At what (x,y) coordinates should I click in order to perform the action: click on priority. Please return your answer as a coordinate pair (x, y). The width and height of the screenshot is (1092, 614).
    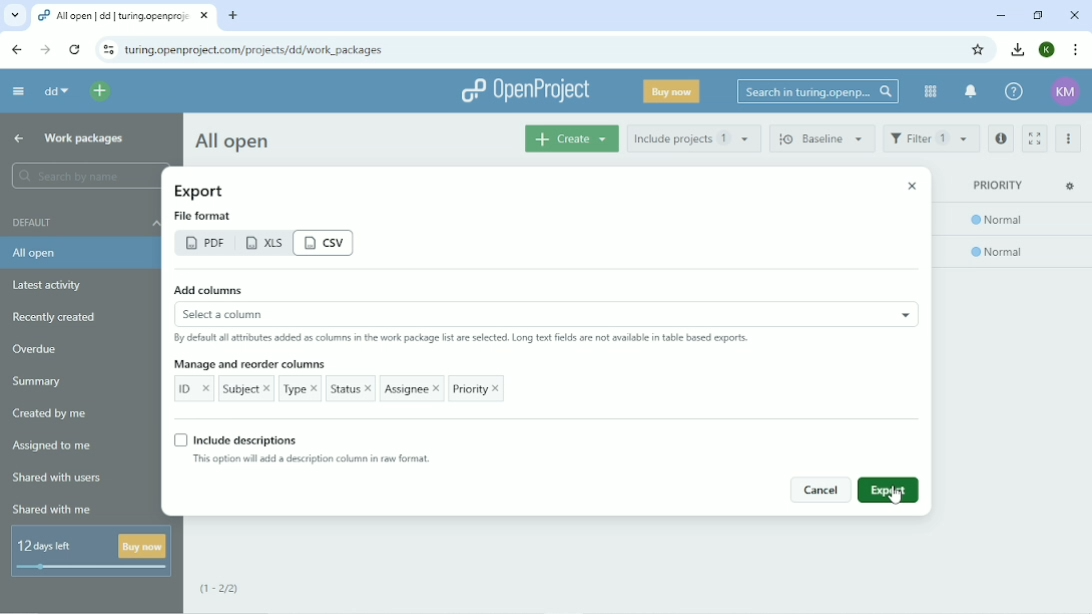
    Looking at the image, I should click on (996, 189).